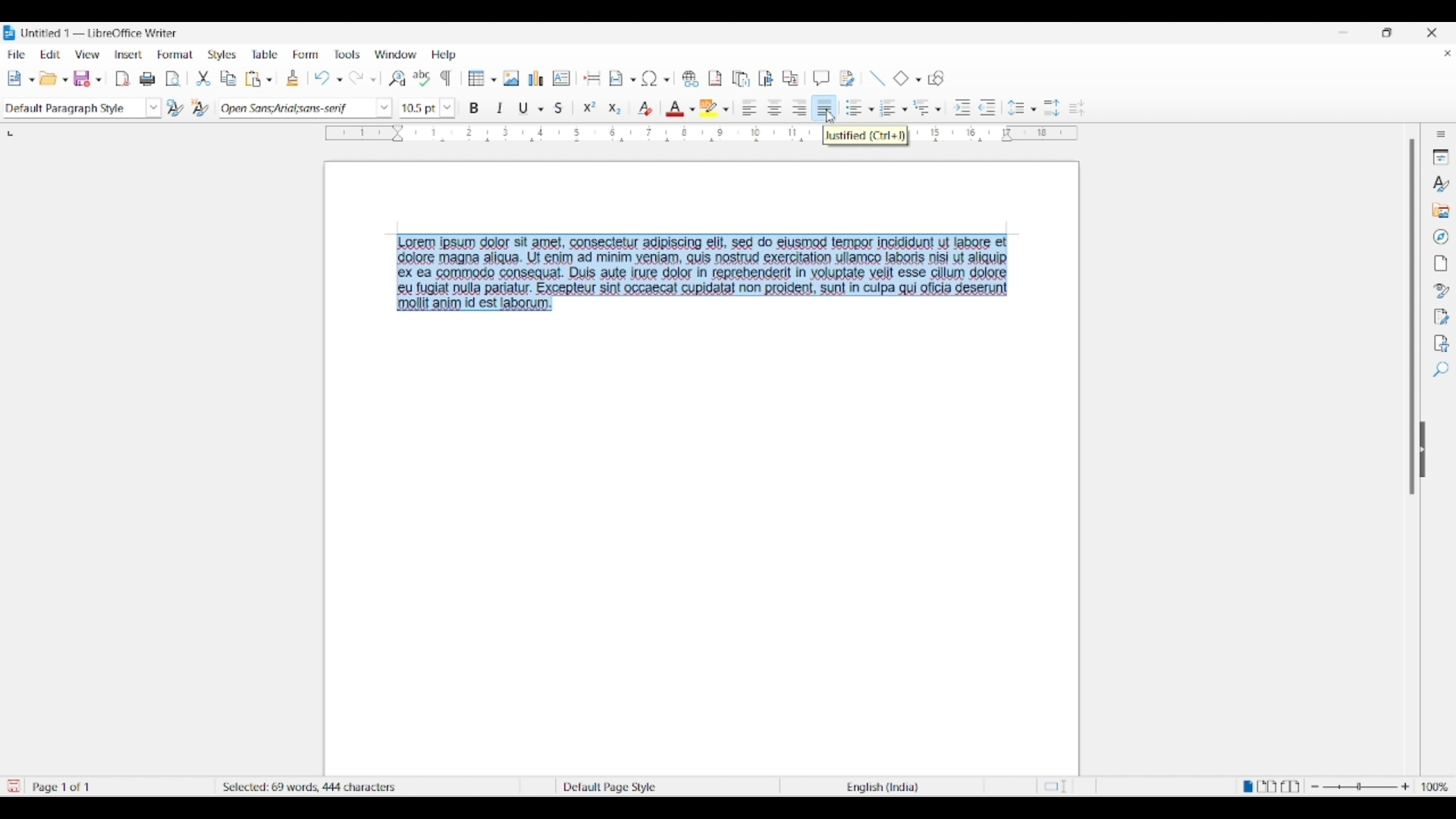 This screenshot has height=819, width=1456. Describe the element at coordinates (1405, 786) in the screenshot. I see `Zoom in` at that location.